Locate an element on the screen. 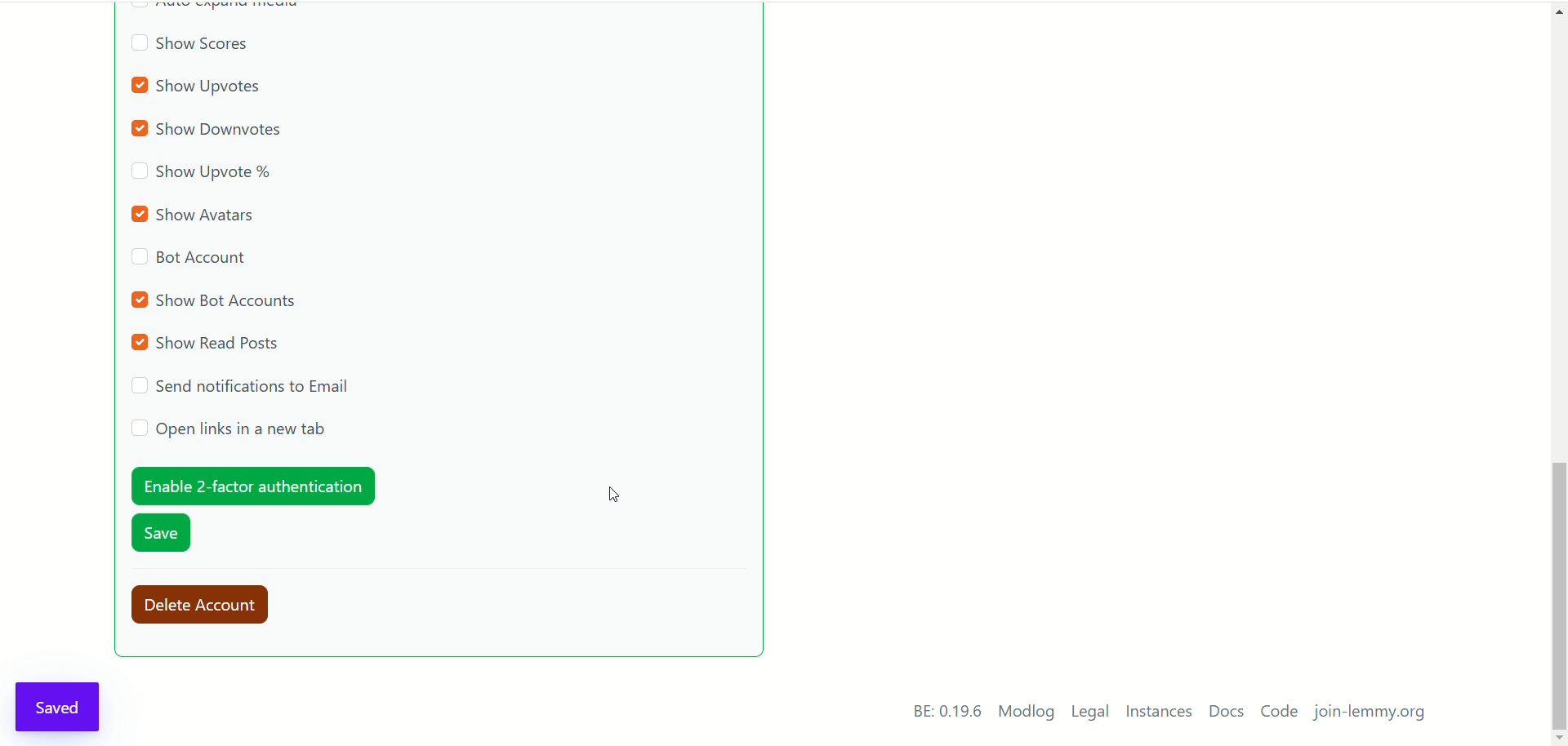 The image size is (1568, 746). delete account is located at coordinates (207, 606).